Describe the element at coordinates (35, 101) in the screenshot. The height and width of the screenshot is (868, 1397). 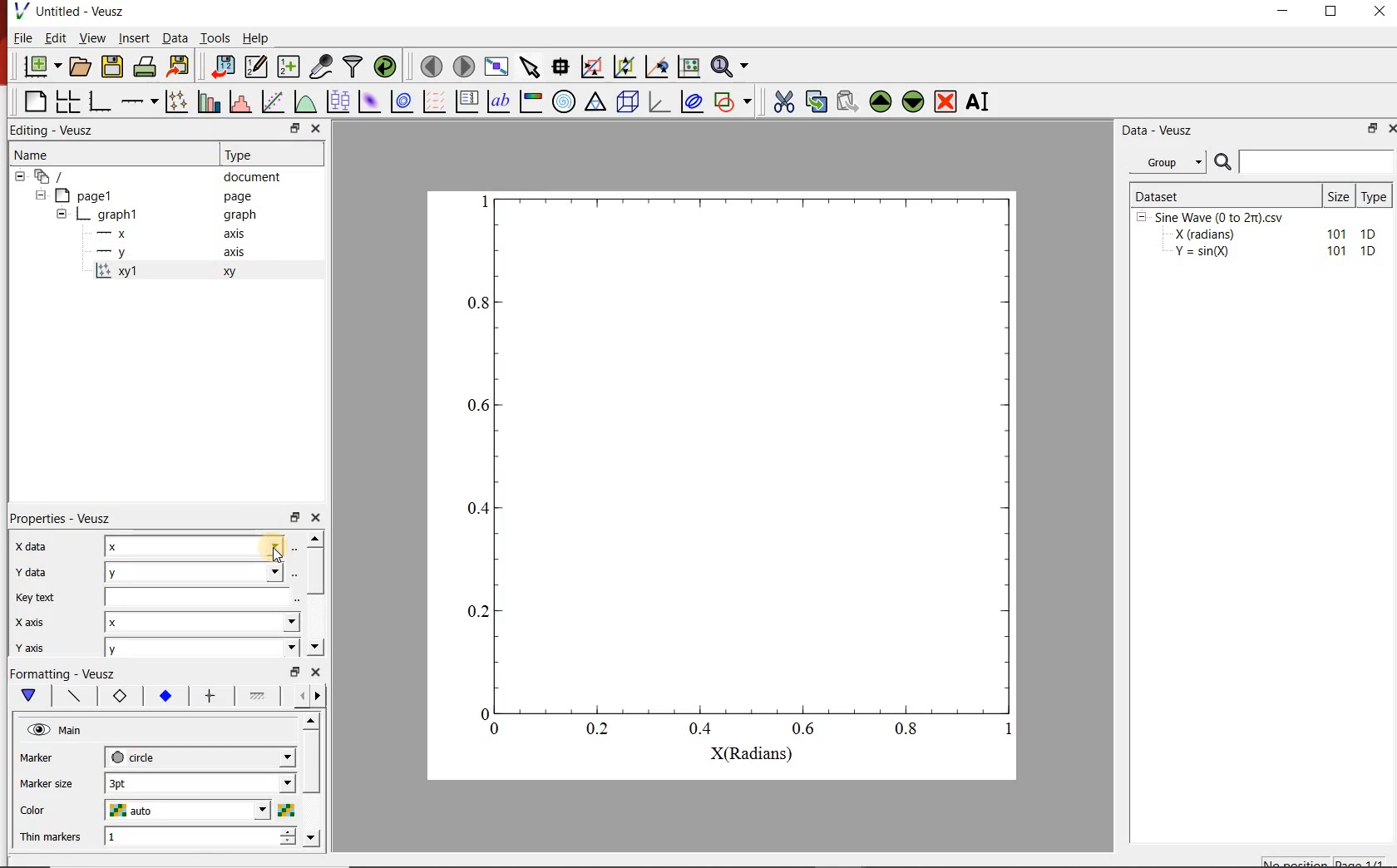
I see `Blank page` at that location.